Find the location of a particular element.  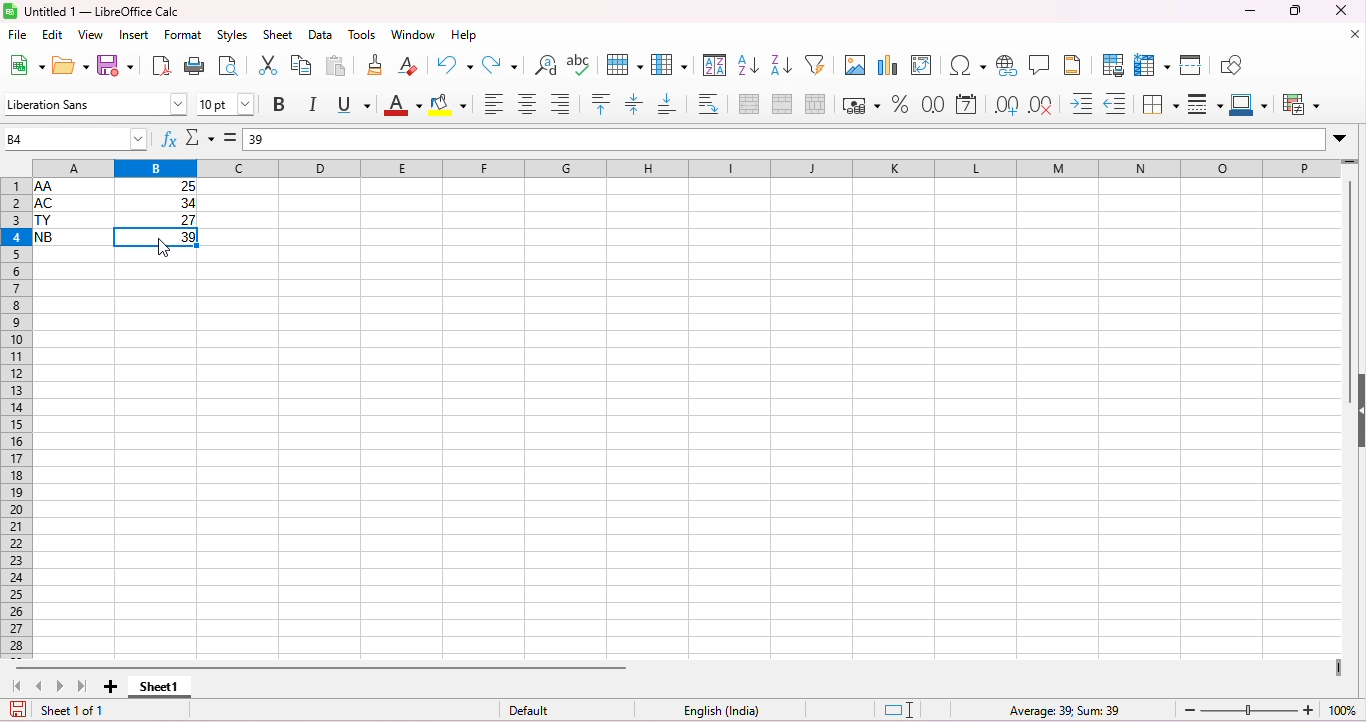

default is located at coordinates (536, 711).